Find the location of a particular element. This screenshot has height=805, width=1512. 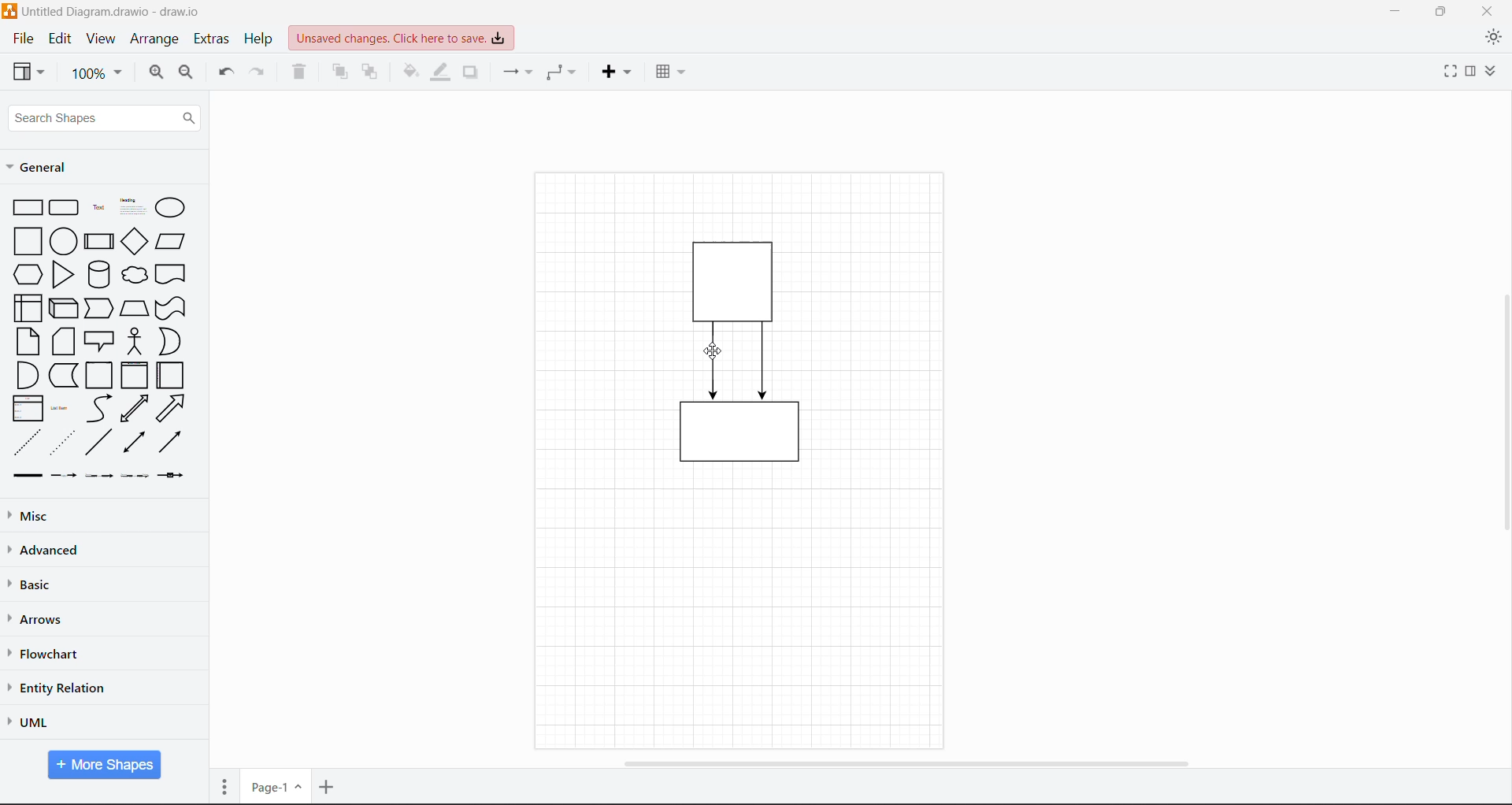

Document is located at coordinates (172, 274).